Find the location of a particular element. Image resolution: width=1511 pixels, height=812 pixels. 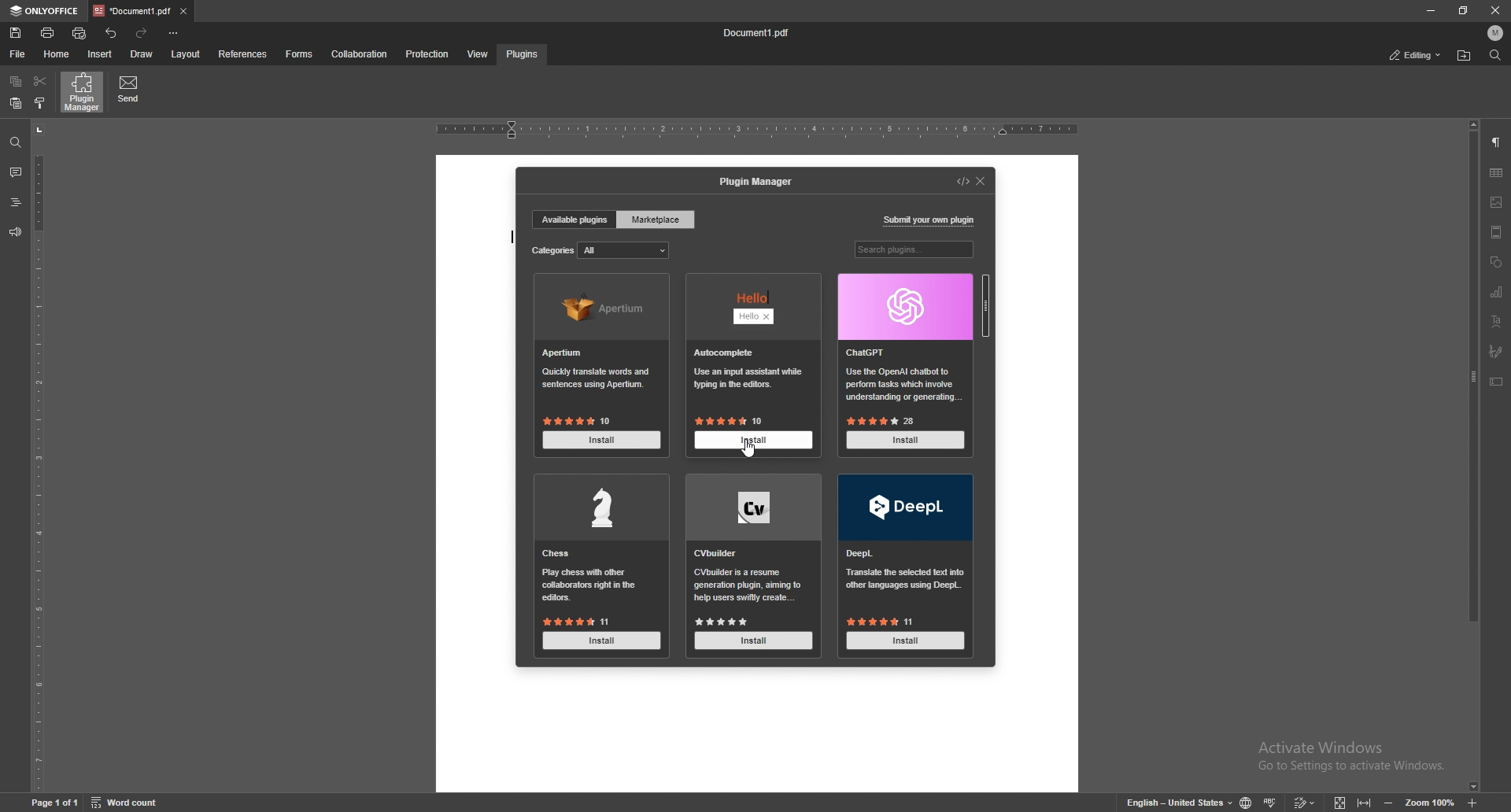

text art is located at coordinates (1498, 321).